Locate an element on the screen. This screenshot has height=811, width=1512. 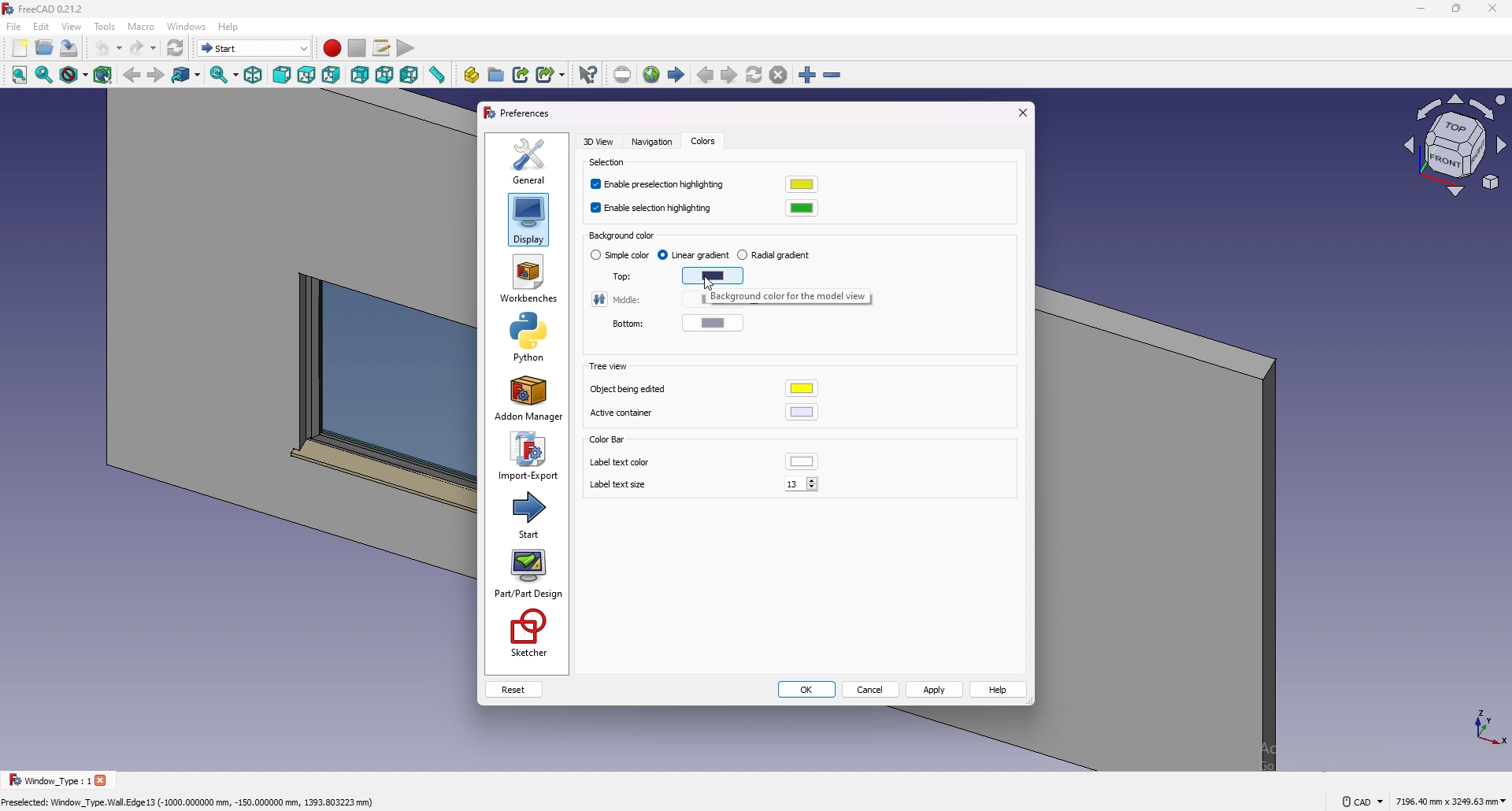
stop recording macros is located at coordinates (357, 48).